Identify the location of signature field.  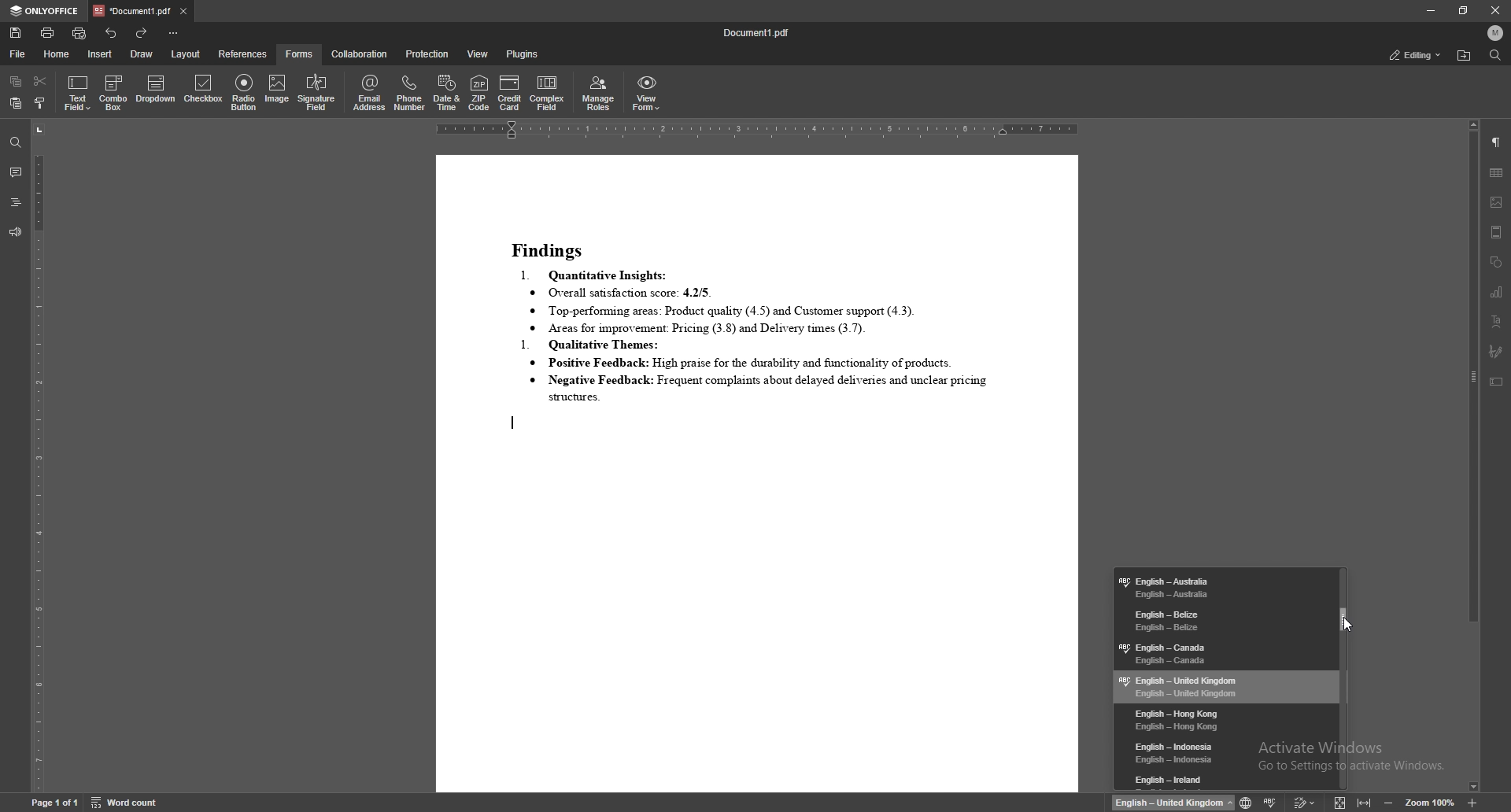
(1495, 350).